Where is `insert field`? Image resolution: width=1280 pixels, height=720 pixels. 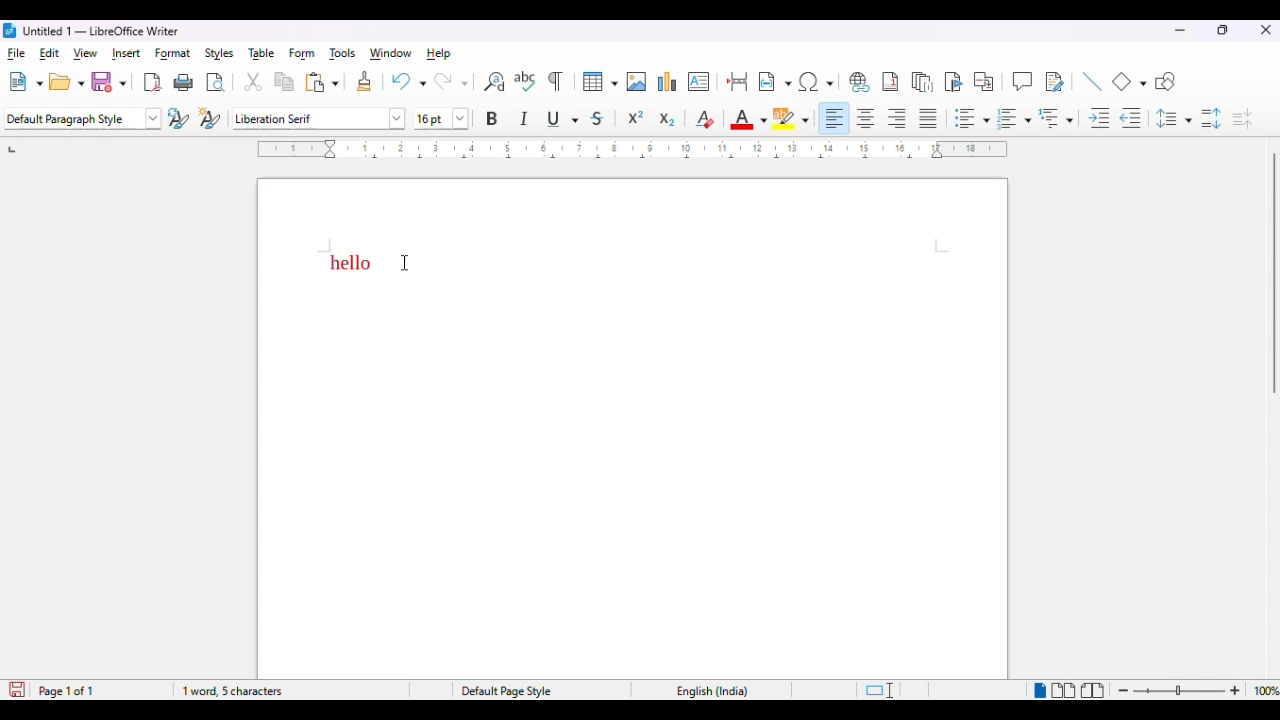
insert field is located at coordinates (775, 82).